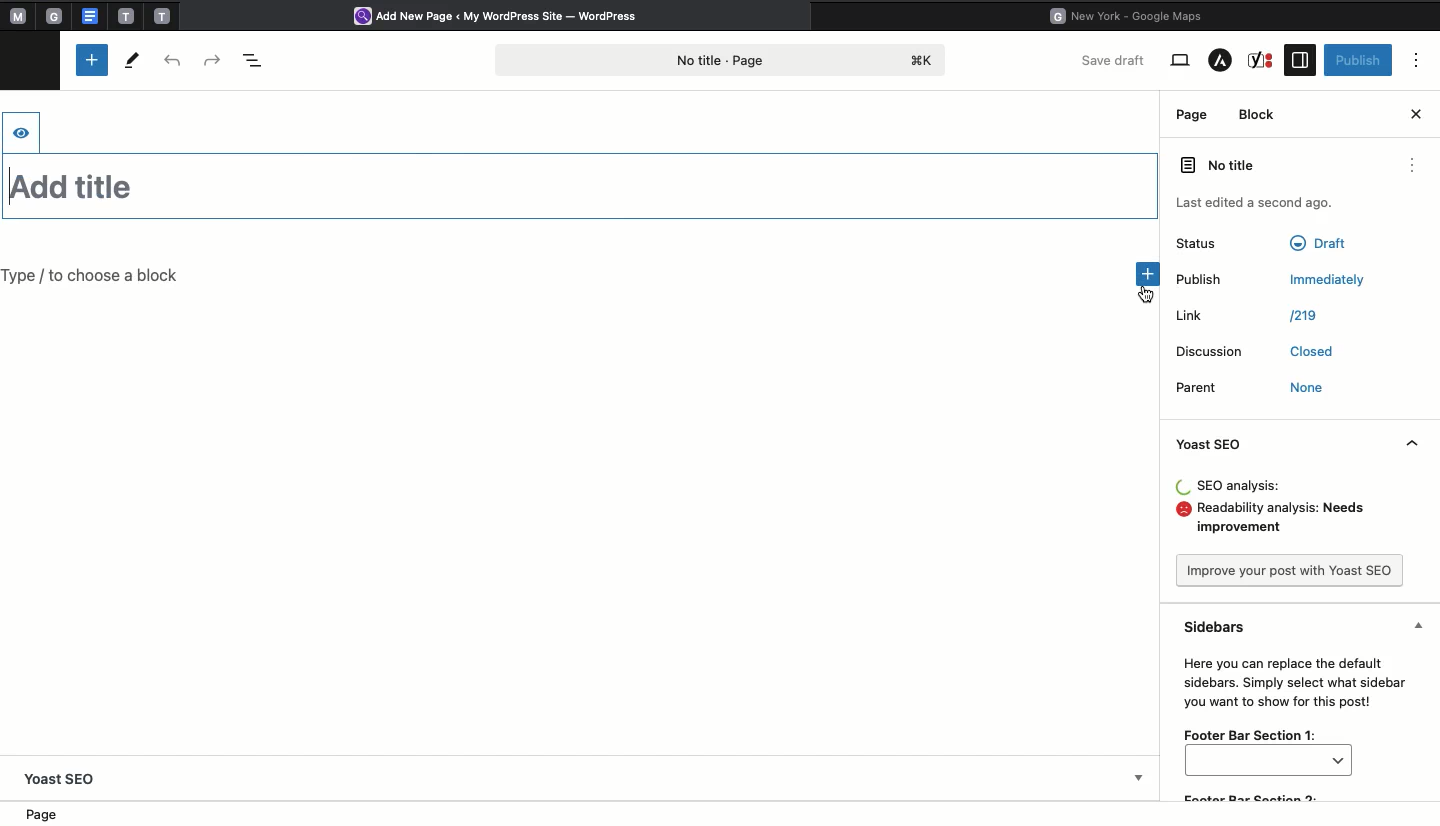 This screenshot has height=826, width=1440. Describe the element at coordinates (1266, 244) in the screenshot. I see `Status` at that location.